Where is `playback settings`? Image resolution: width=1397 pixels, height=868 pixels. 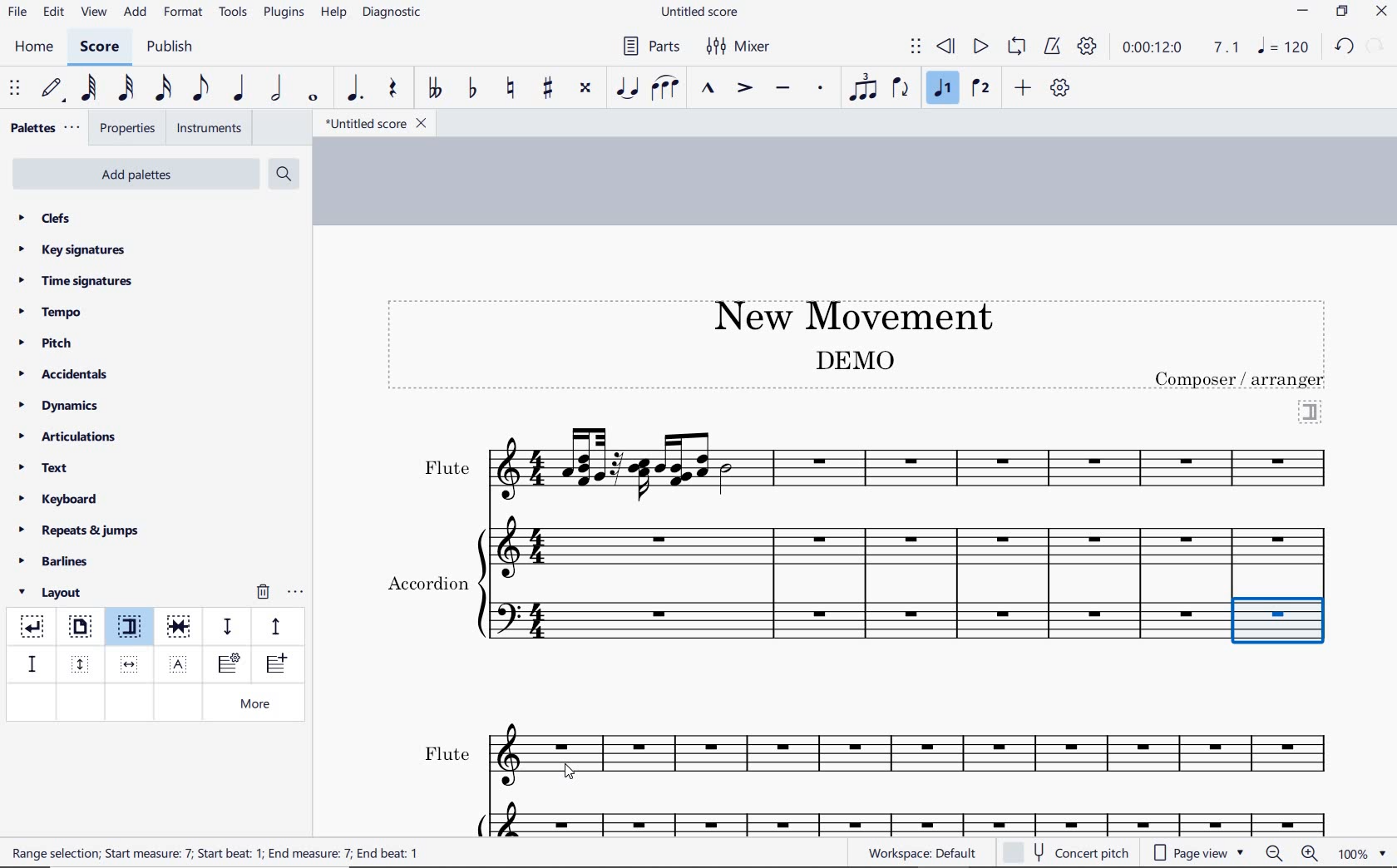
playback settings is located at coordinates (1089, 46).